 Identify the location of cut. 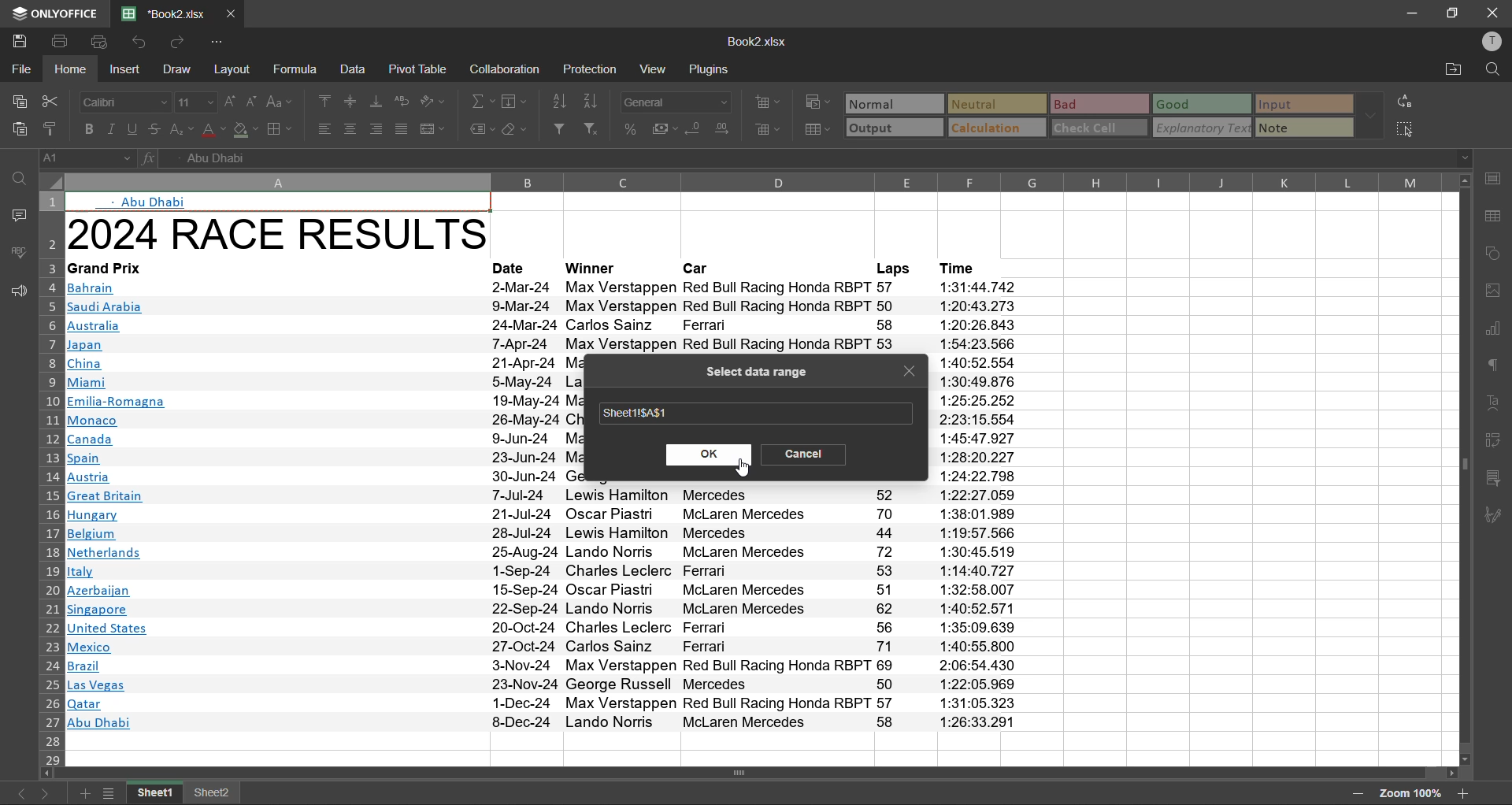
(50, 101).